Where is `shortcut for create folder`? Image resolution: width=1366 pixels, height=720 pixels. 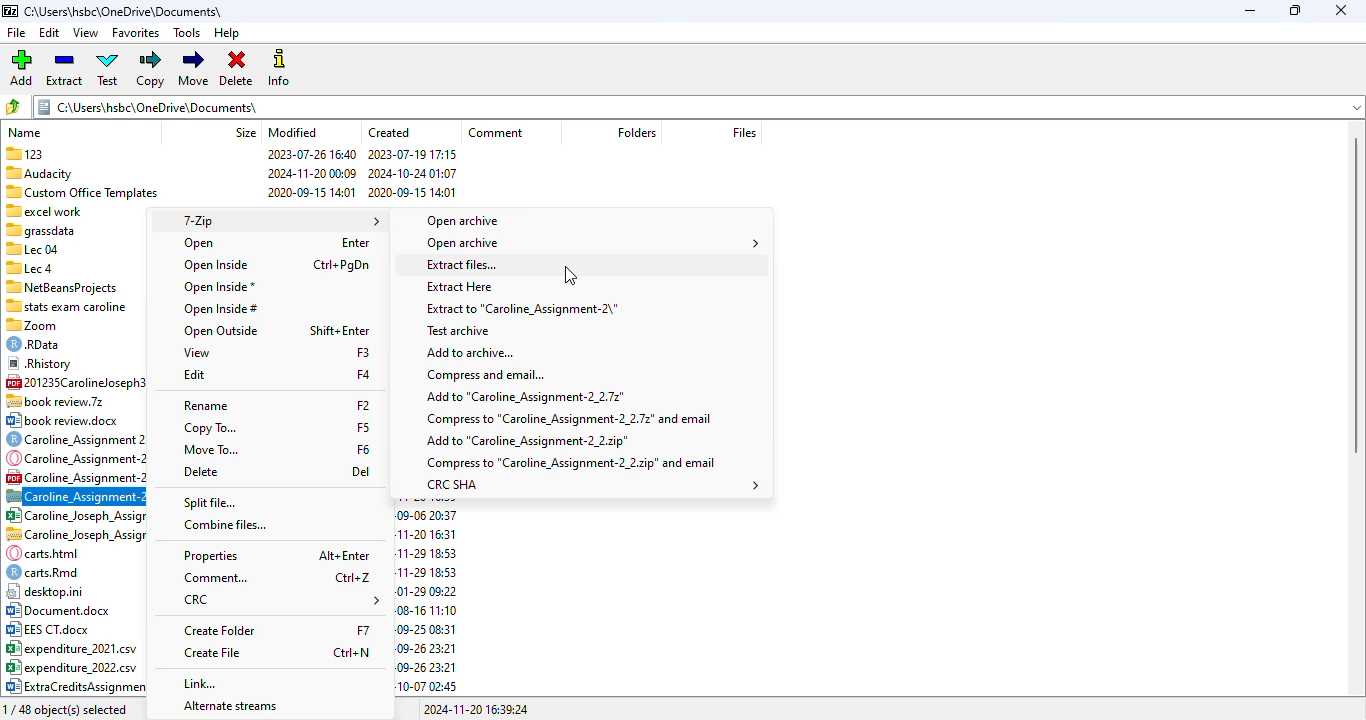
shortcut for create folder is located at coordinates (364, 631).